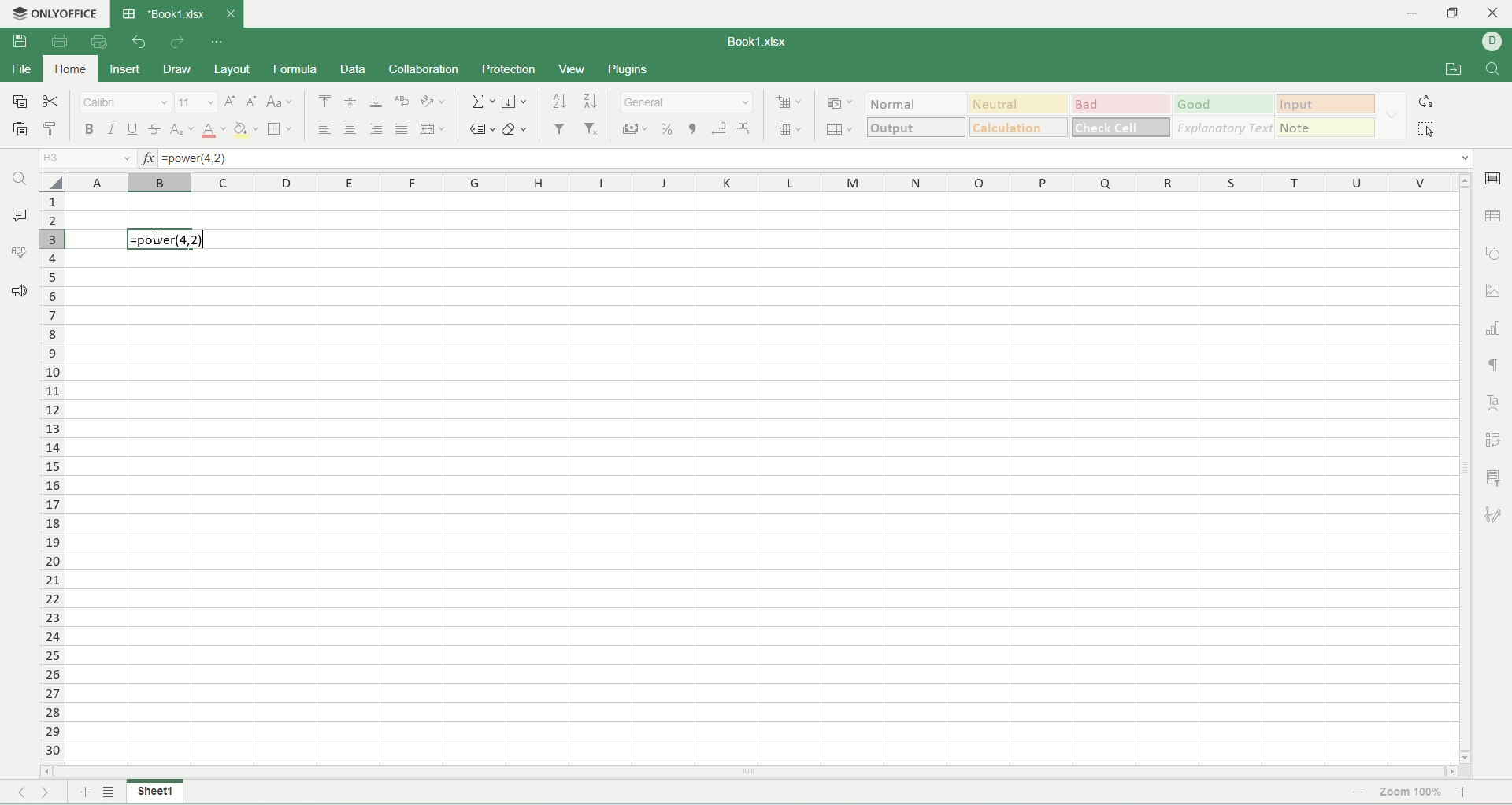  I want to click on onlyoffice, so click(57, 14).